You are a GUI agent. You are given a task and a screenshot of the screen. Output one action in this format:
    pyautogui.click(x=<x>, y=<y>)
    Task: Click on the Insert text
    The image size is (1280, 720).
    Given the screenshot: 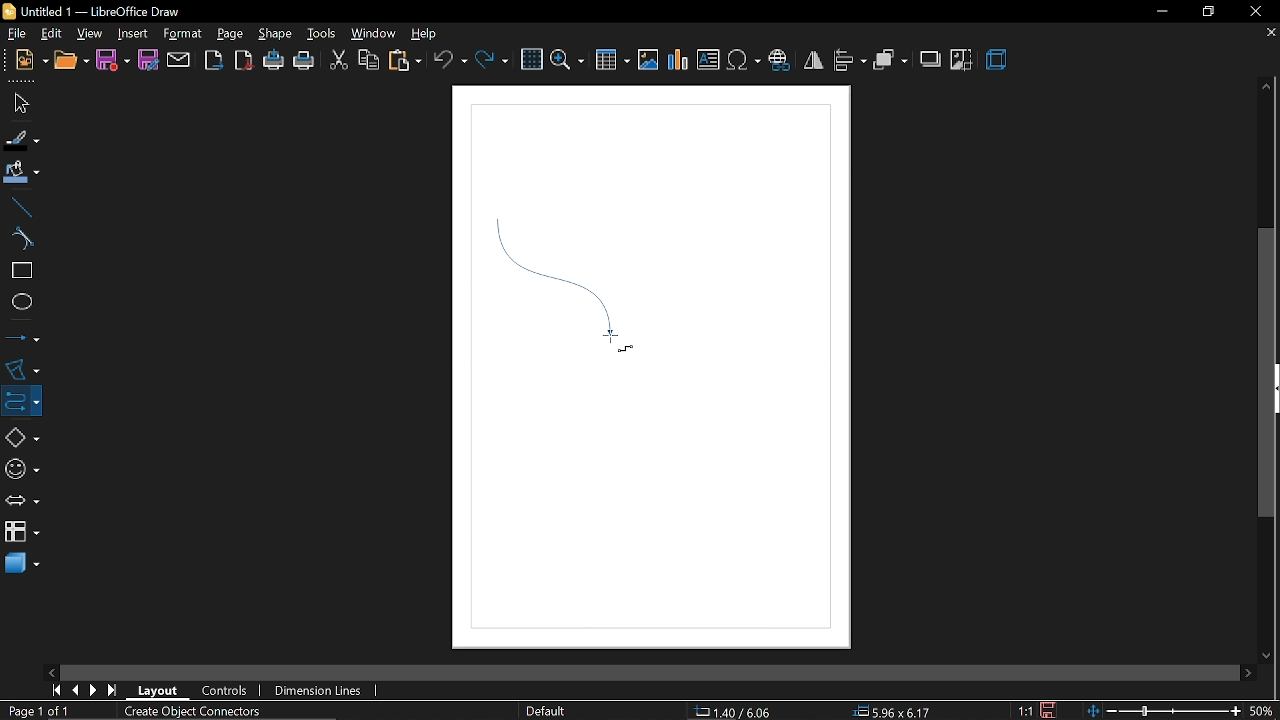 What is the action you would take?
    pyautogui.click(x=708, y=60)
    